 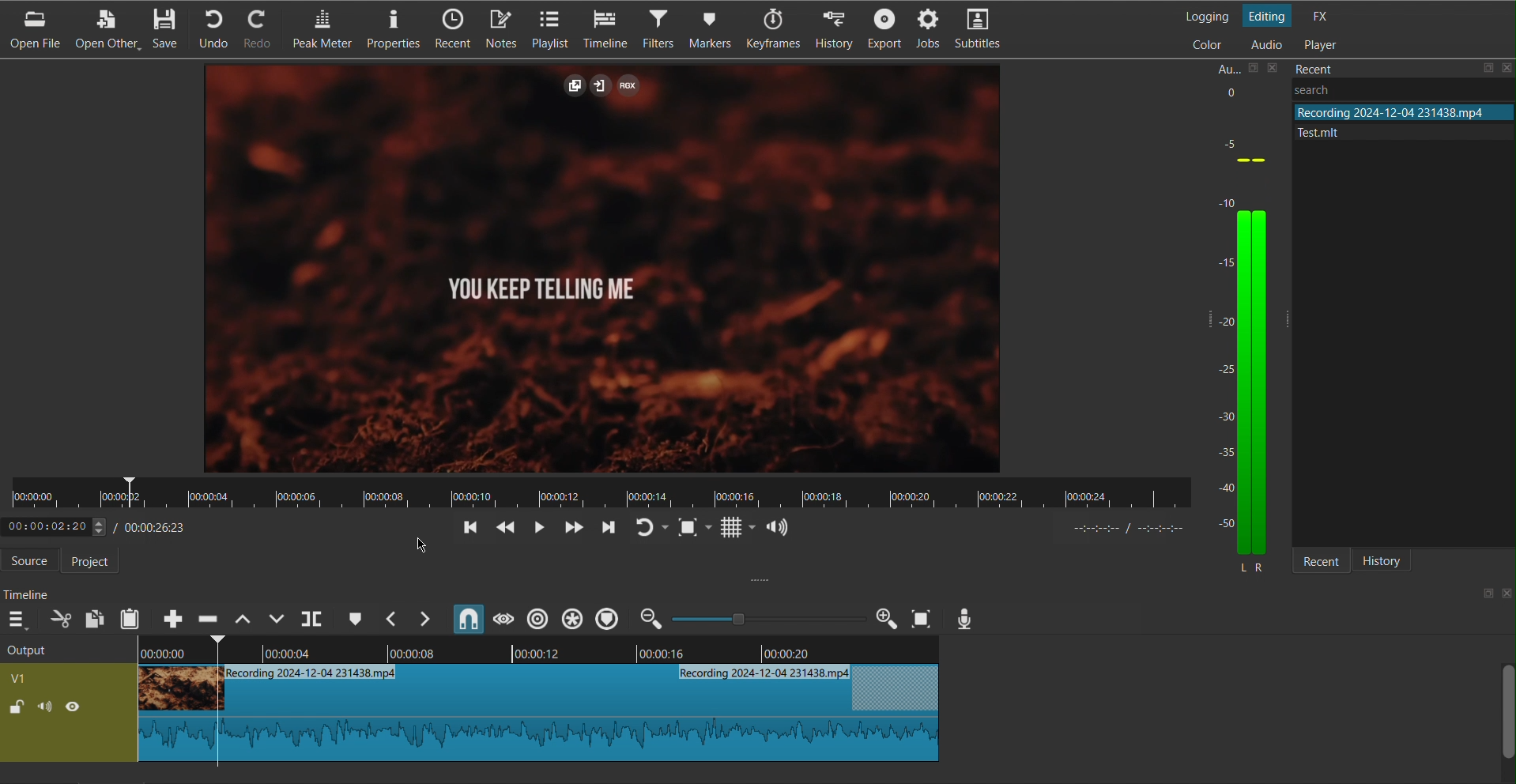 I want to click on Open Other, so click(x=109, y=28).